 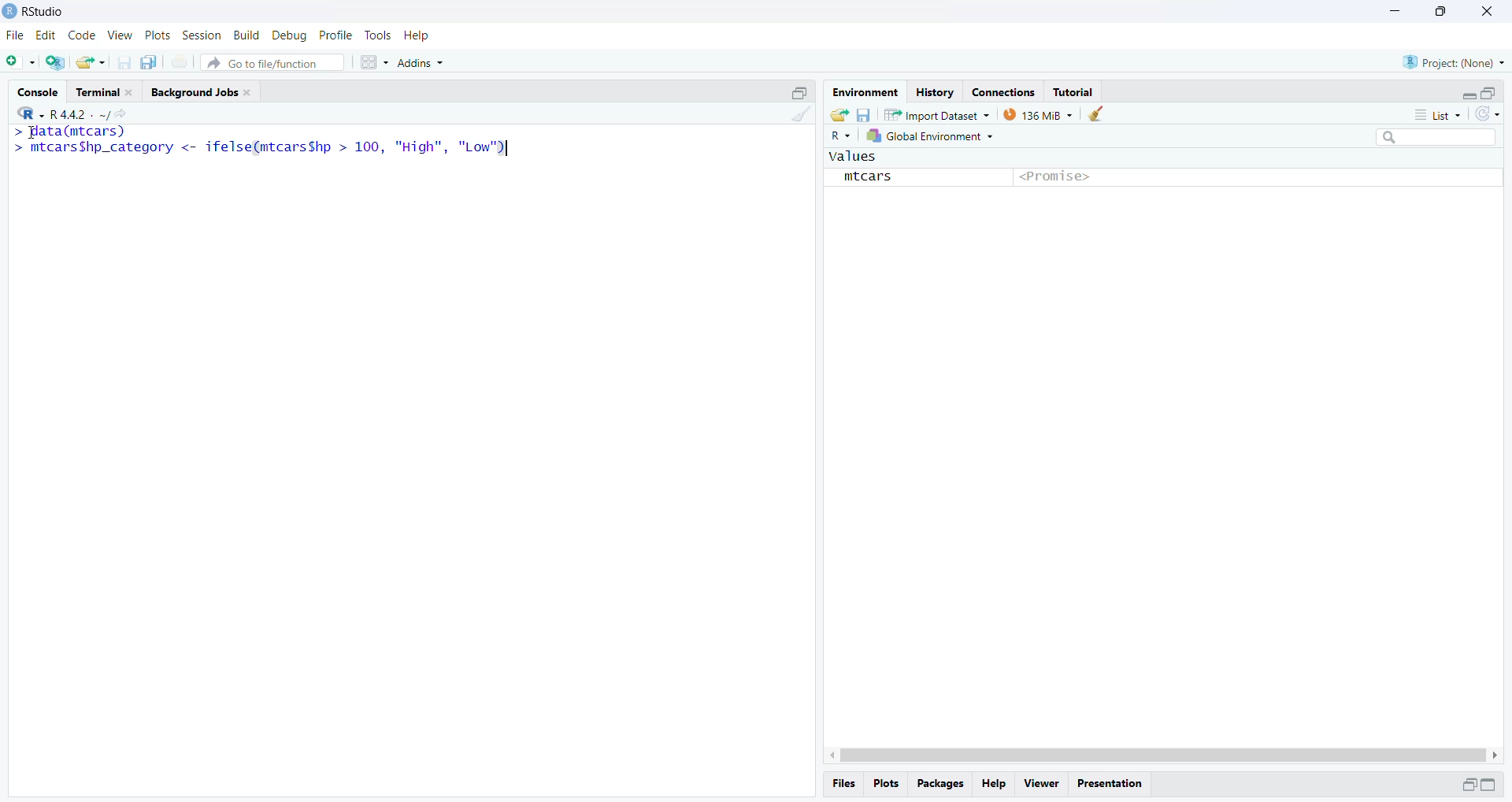 What do you see at coordinates (1162, 173) in the screenshot?
I see `values
mtcars <Promise>` at bounding box center [1162, 173].